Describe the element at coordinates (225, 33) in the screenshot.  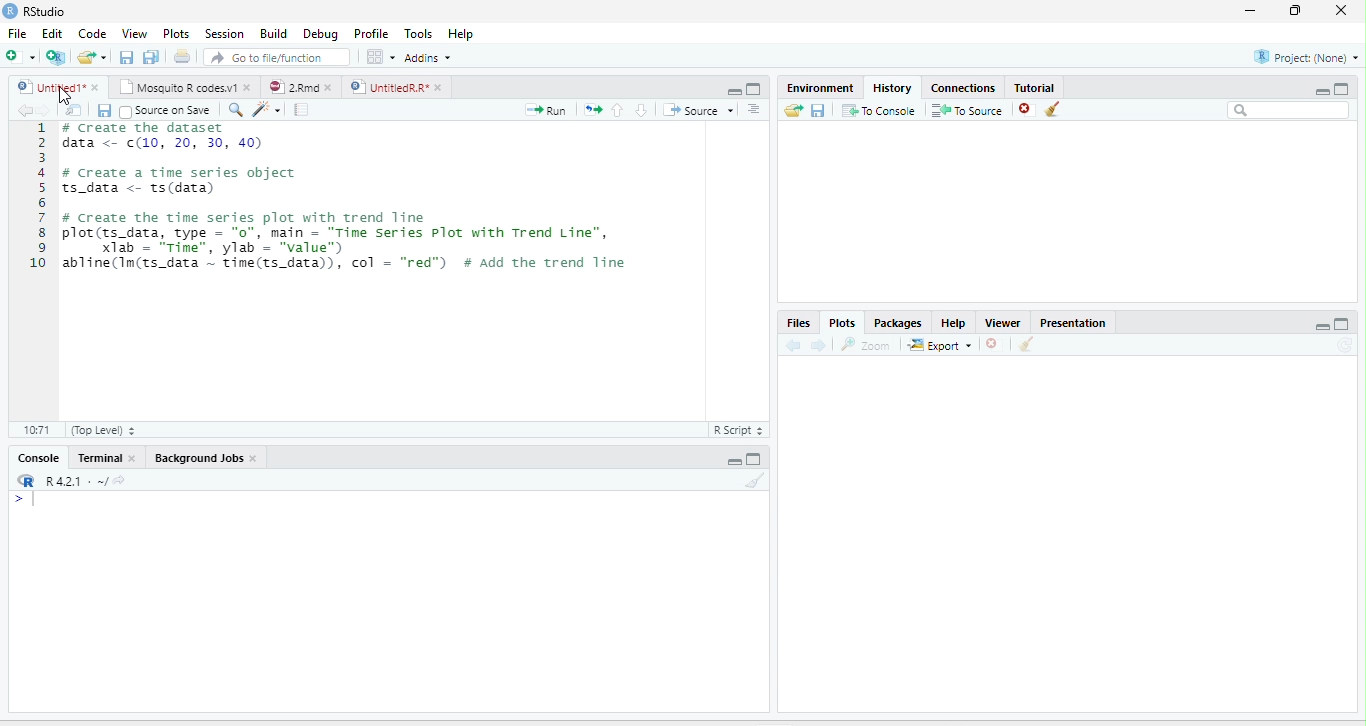
I see `Session` at that location.